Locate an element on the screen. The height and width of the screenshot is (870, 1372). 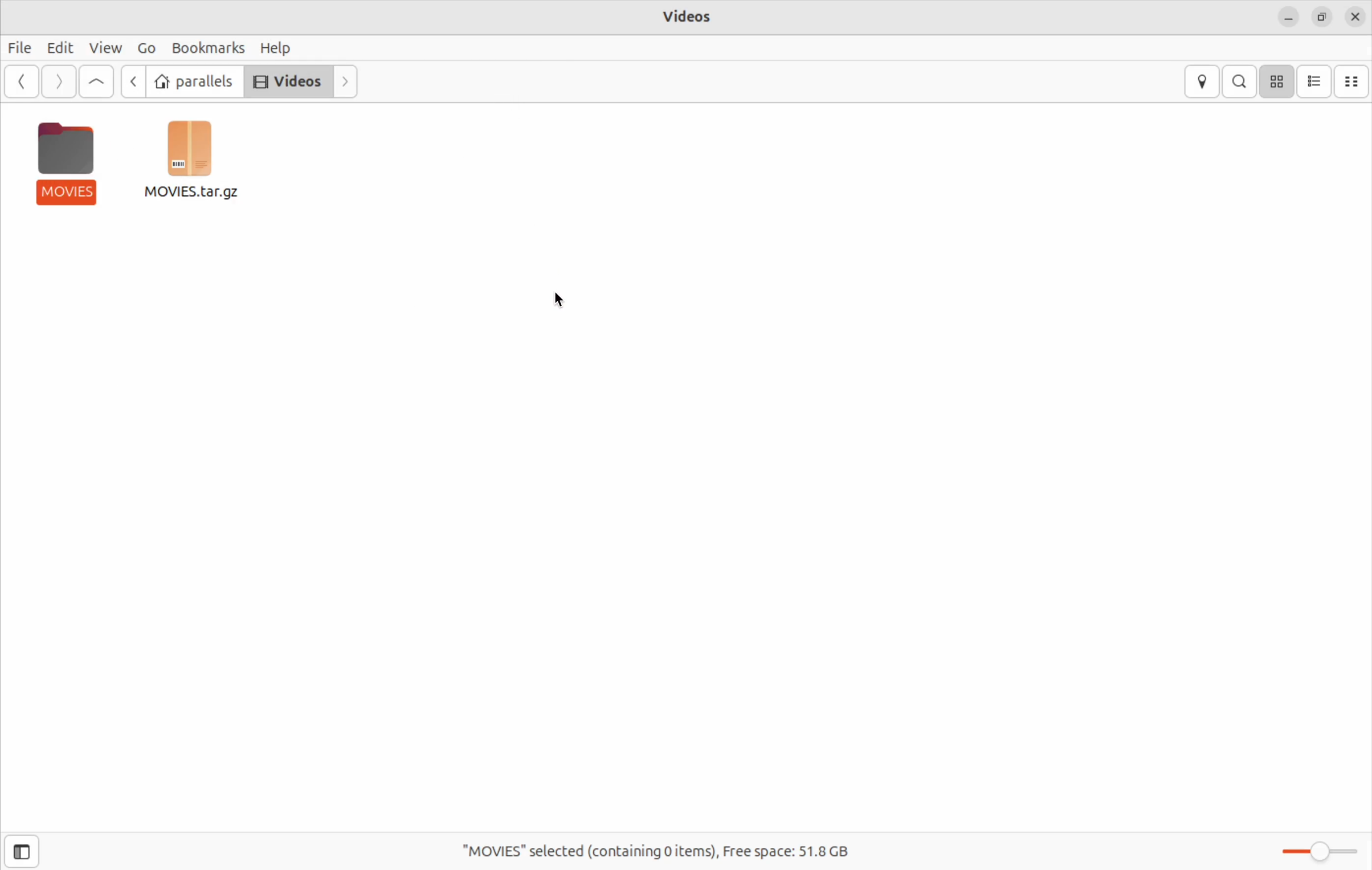
locations is located at coordinates (1203, 81).